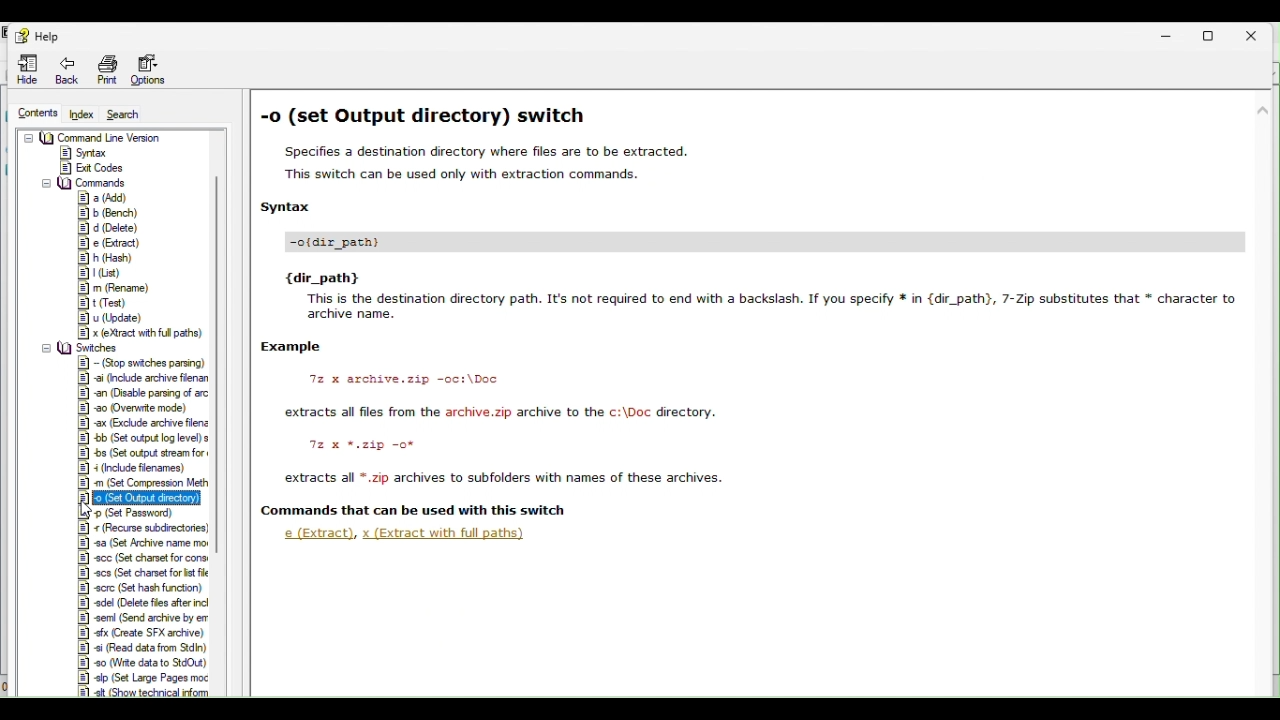 The height and width of the screenshot is (720, 1280). What do you see at coordinates (42, 113) in the screenshot?
I see `Content` at bounding box center [42, 113].